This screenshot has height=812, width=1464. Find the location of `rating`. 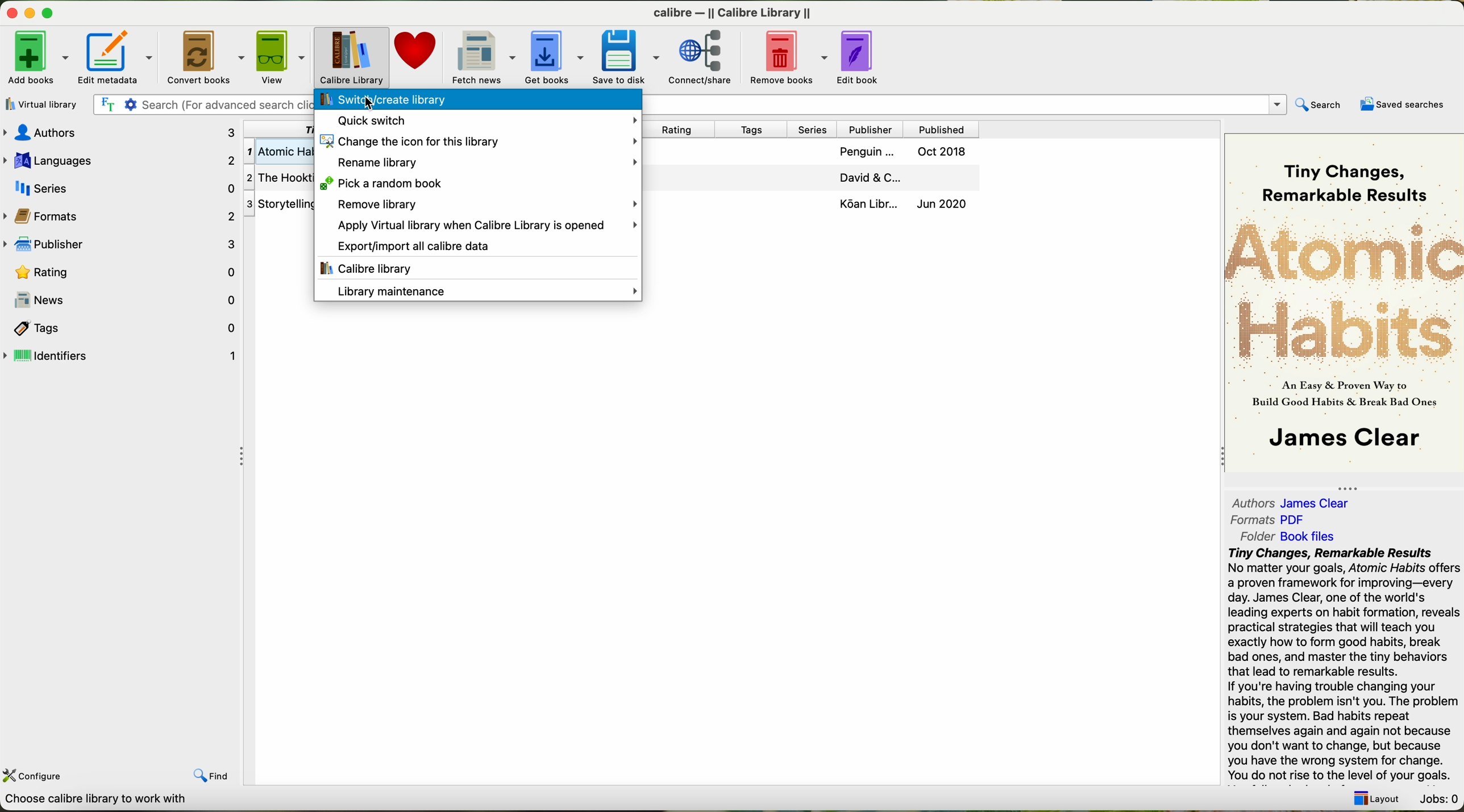

rating is located at coordinates (122, 272).